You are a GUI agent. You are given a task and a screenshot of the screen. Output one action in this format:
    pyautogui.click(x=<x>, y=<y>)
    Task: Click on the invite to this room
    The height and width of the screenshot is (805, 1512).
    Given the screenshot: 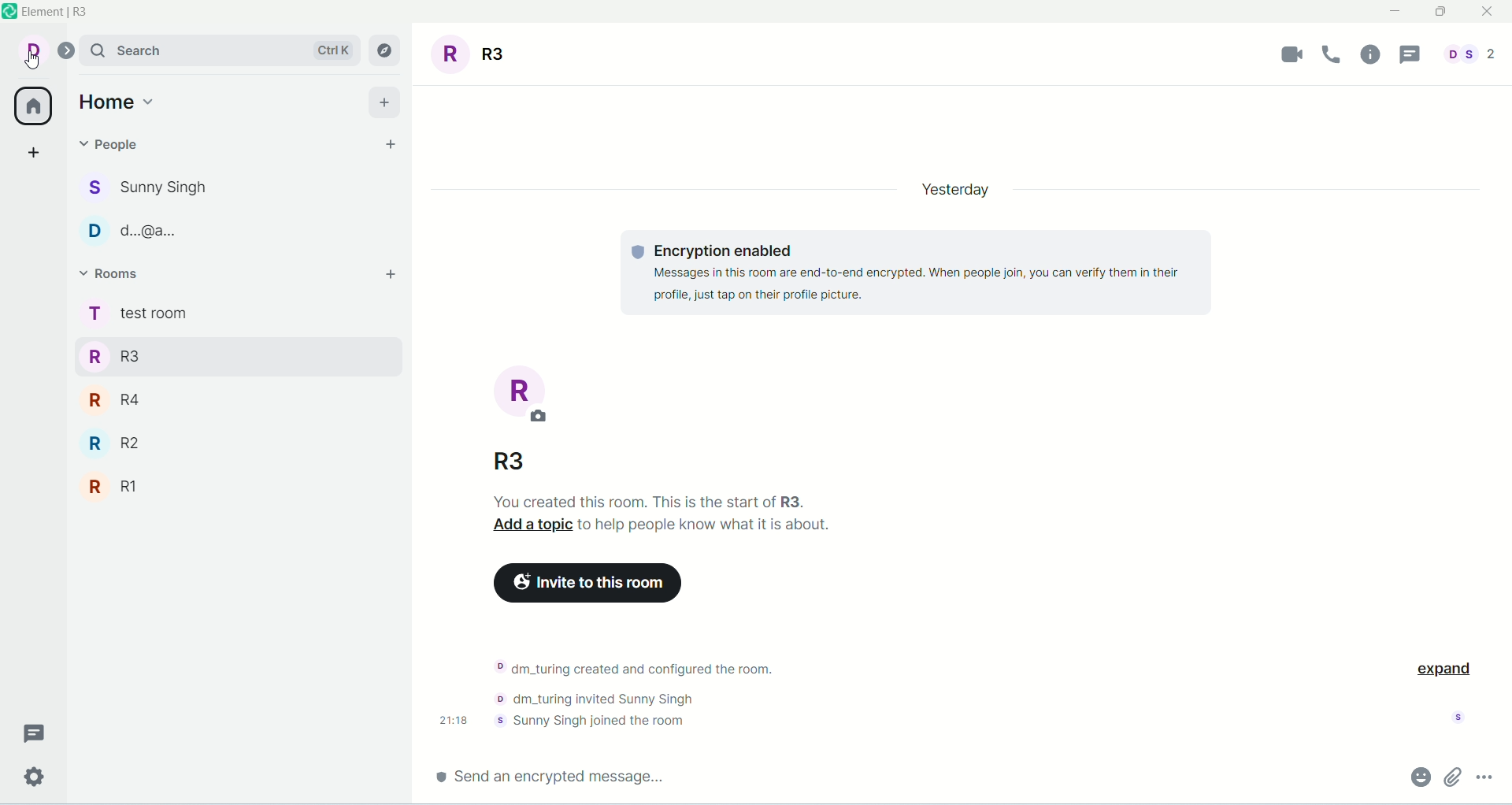 What is the action you would take?
    pyautogui.click(x=584, y=583)
    